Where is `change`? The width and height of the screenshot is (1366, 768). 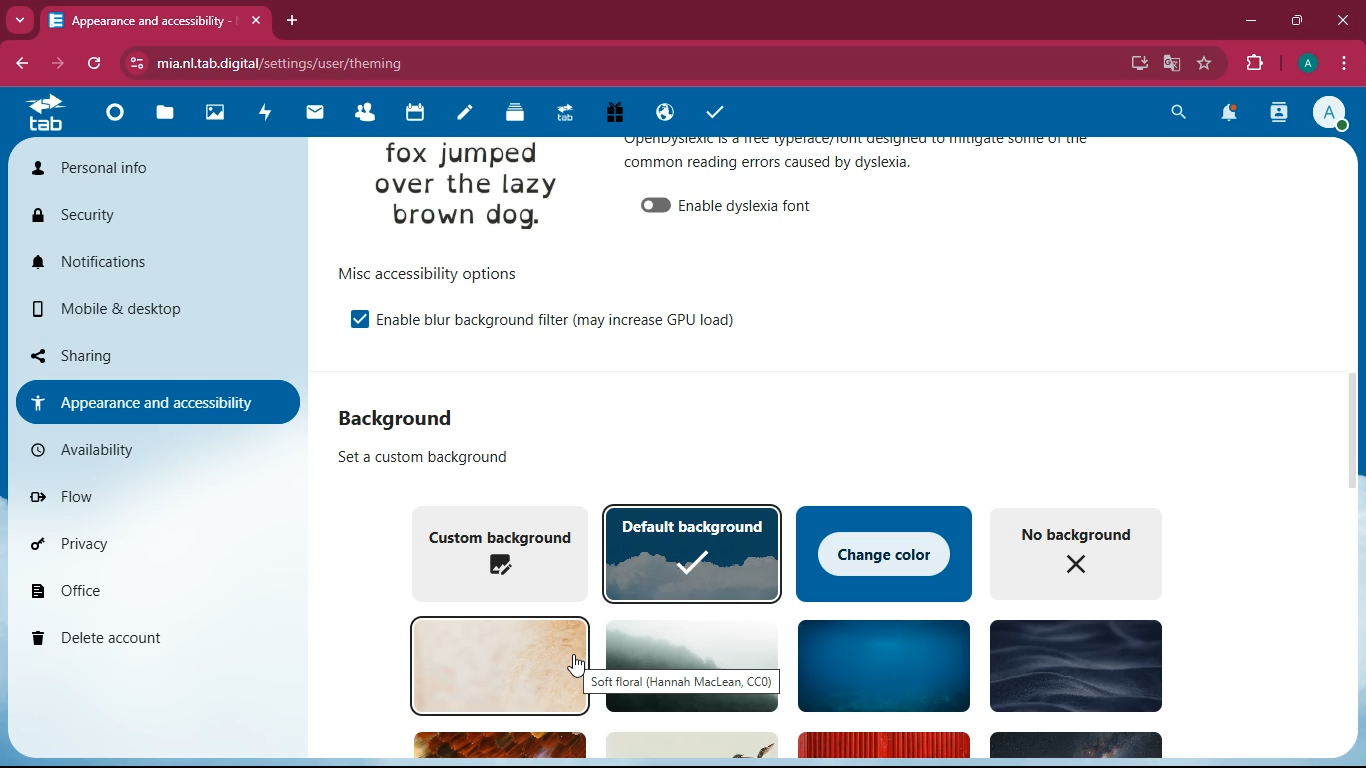
change is located at coordinates (882, 552).